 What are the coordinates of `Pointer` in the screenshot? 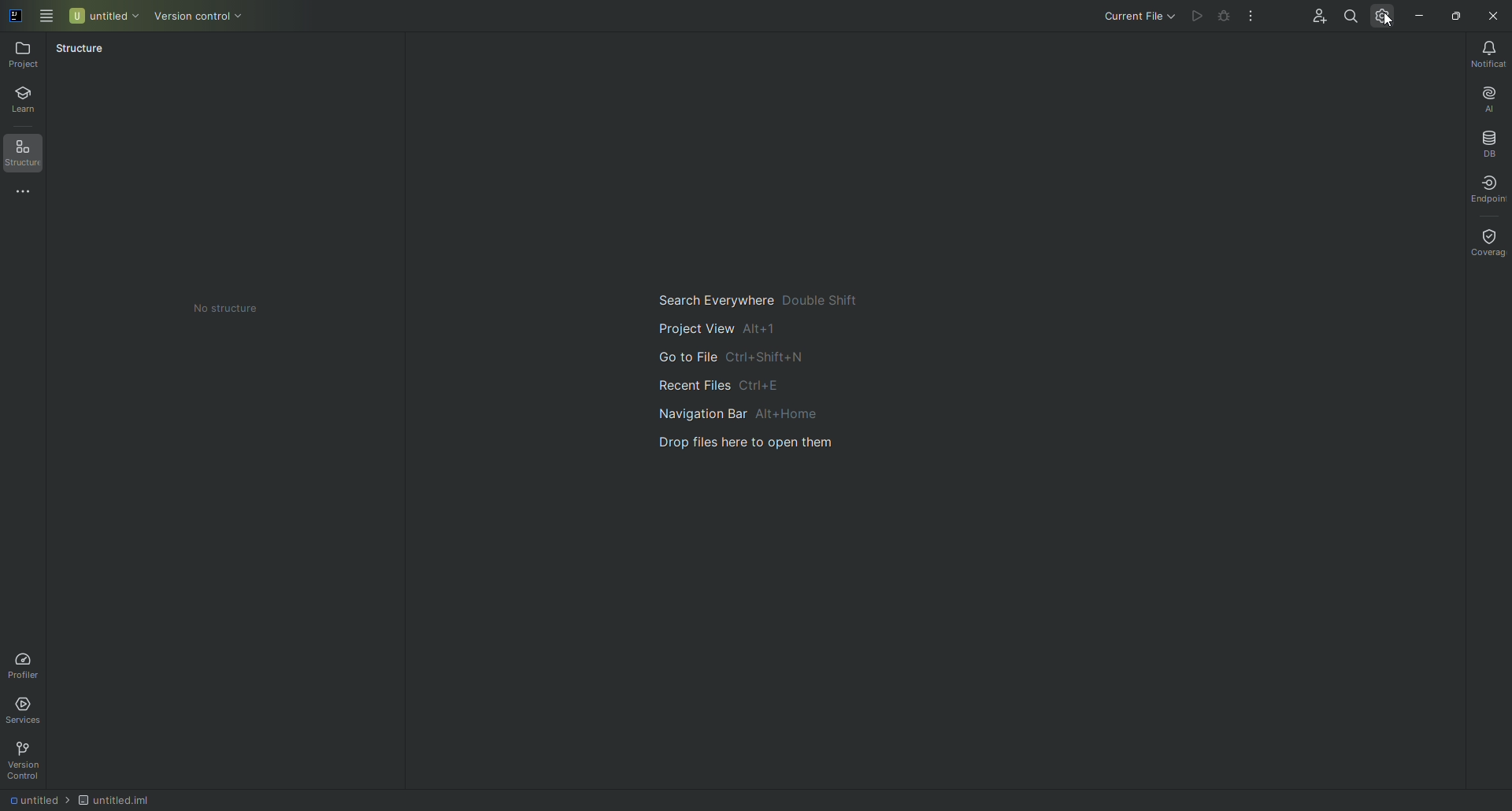 It's located at (1394, 30).